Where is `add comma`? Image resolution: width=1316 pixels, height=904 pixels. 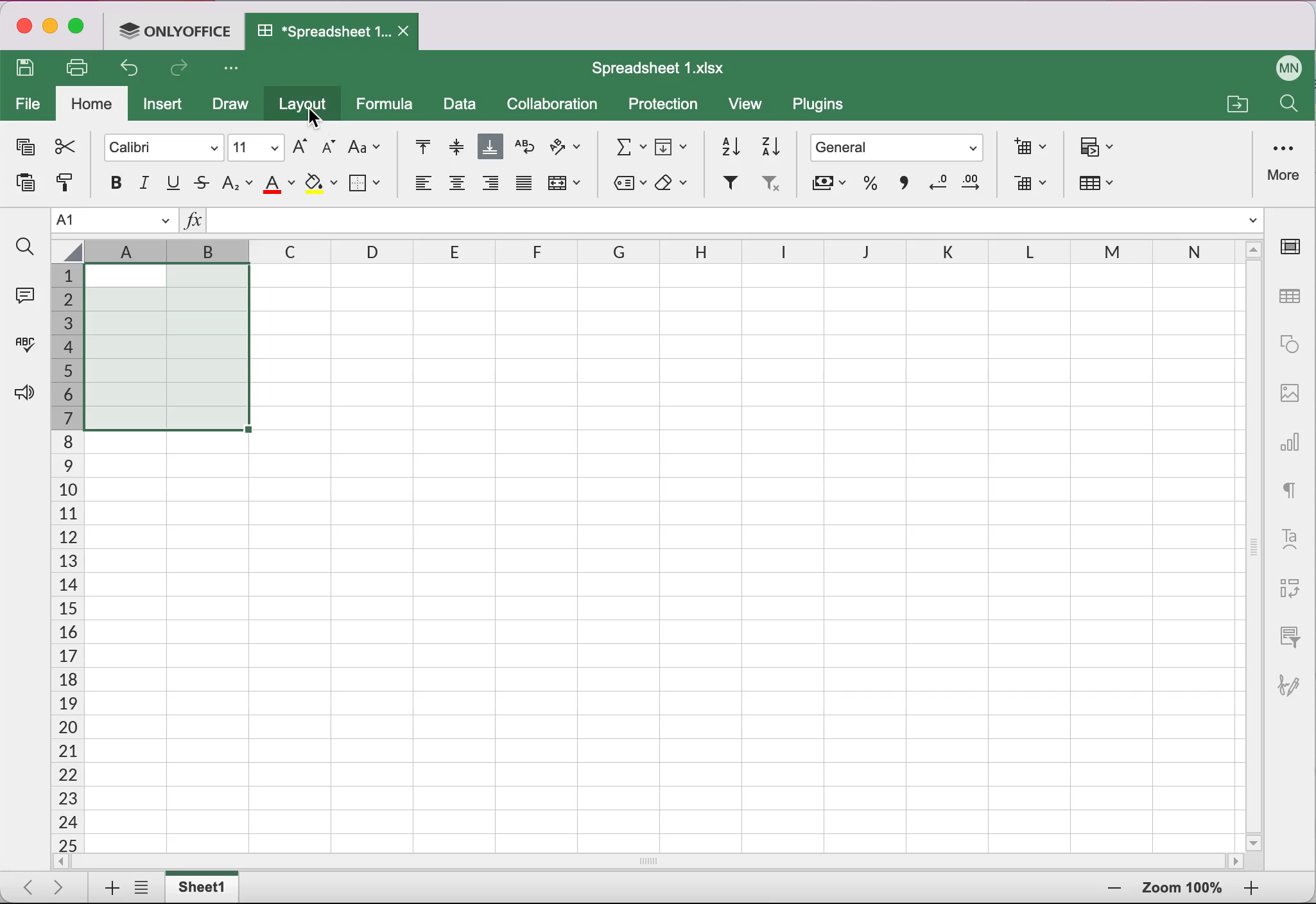
add comma is located at coordinates (901, 187).